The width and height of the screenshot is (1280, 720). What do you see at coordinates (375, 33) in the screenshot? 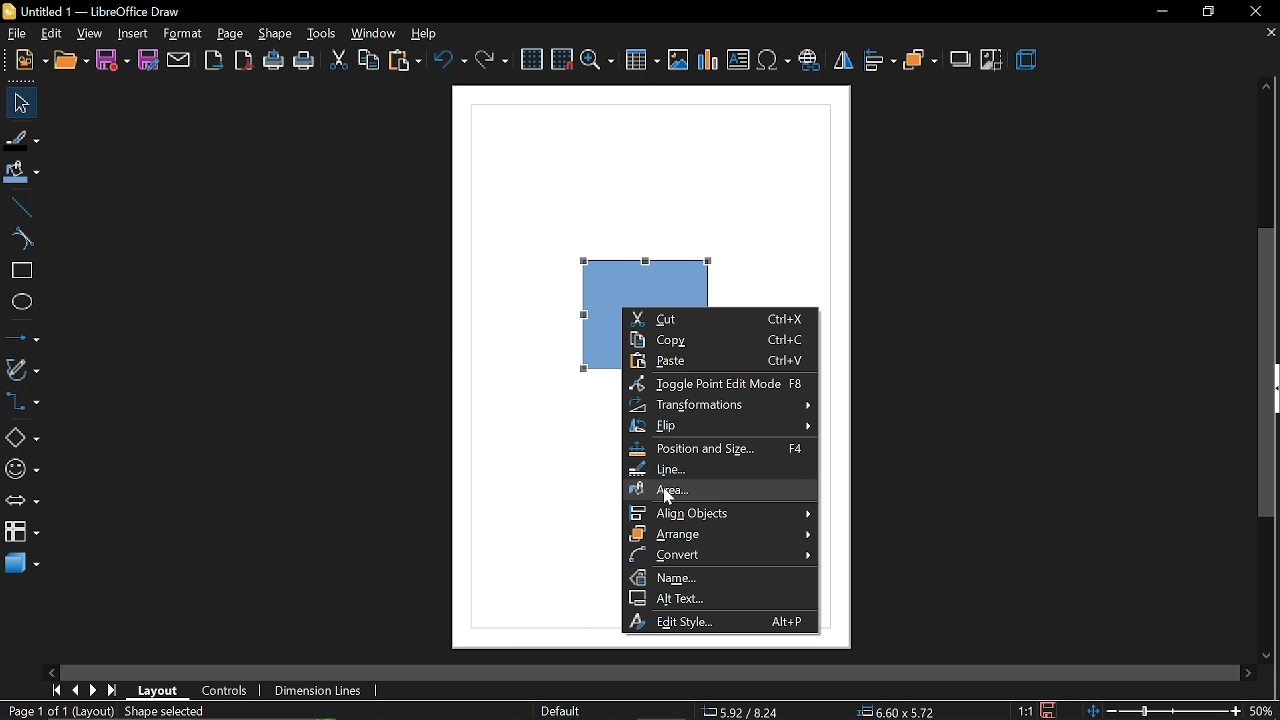
I see `window` at bounding box center [375, 33].